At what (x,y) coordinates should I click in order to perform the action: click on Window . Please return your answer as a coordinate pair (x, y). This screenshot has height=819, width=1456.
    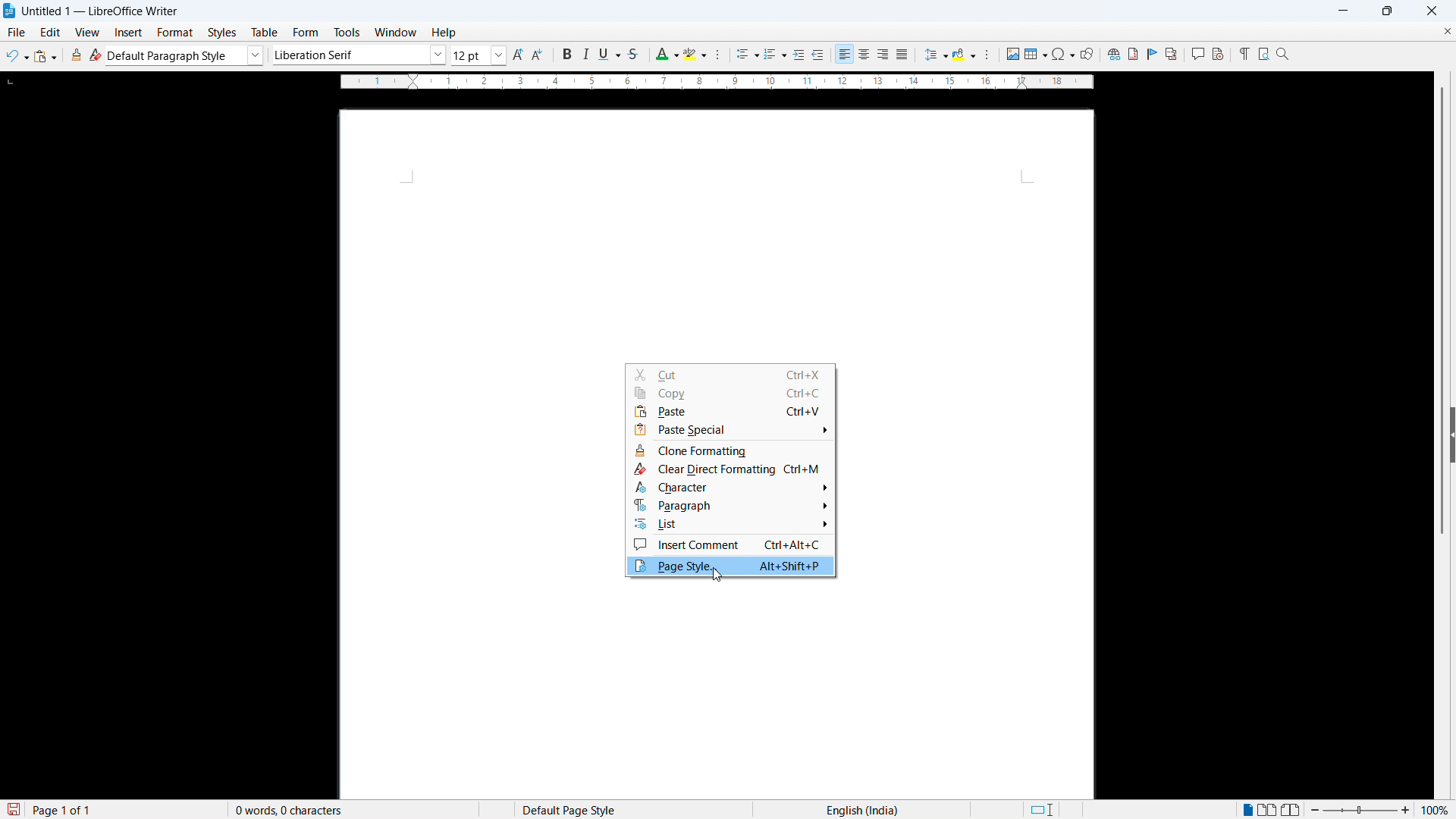
    Looking at the image, I should click on (394, 33).